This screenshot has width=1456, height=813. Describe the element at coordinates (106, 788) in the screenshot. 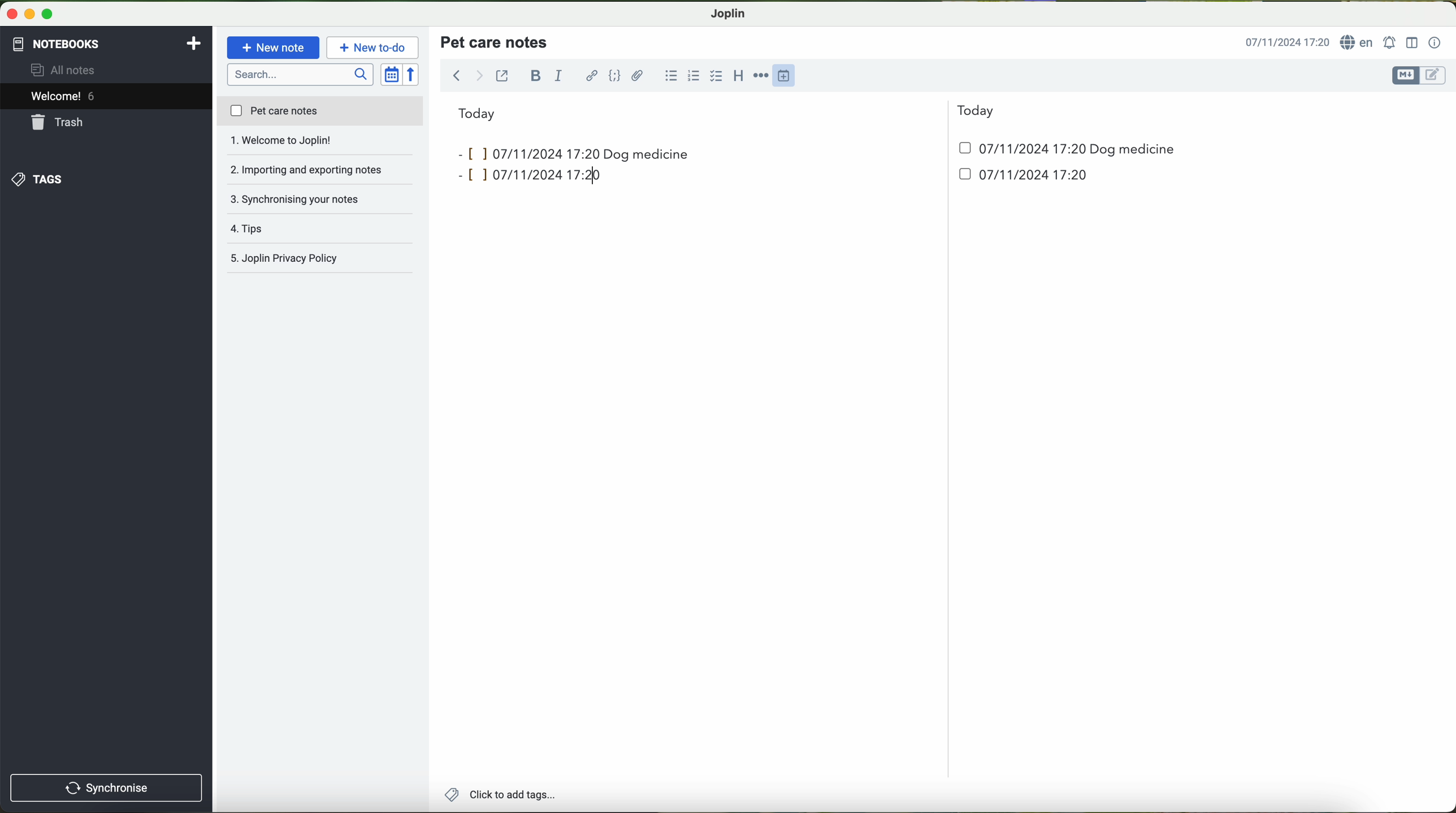

I see `synchronise button` at that location.